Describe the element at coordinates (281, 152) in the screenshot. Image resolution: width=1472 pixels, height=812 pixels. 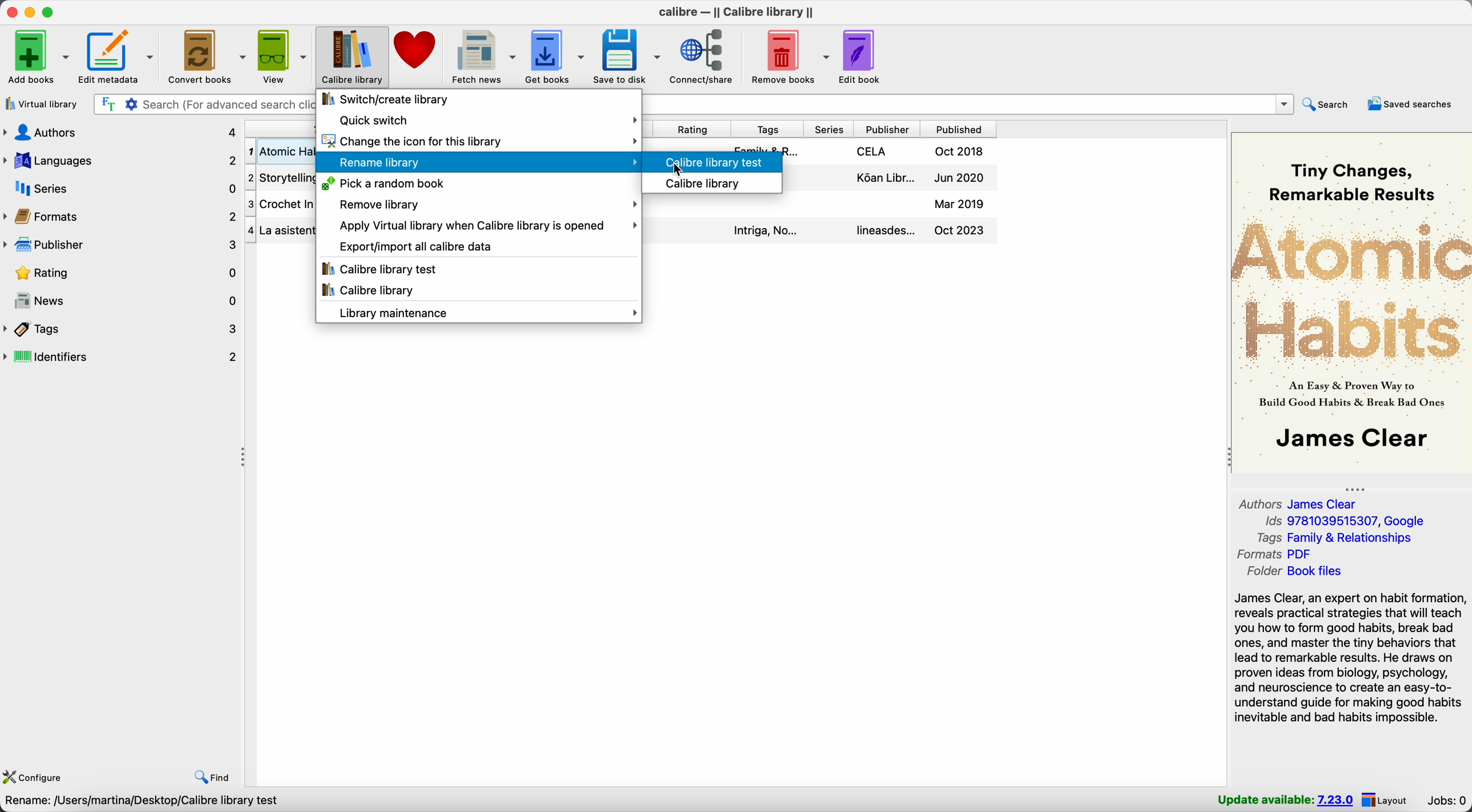
I see `Atomic Habitis: Tiny Changes... book` at that location.